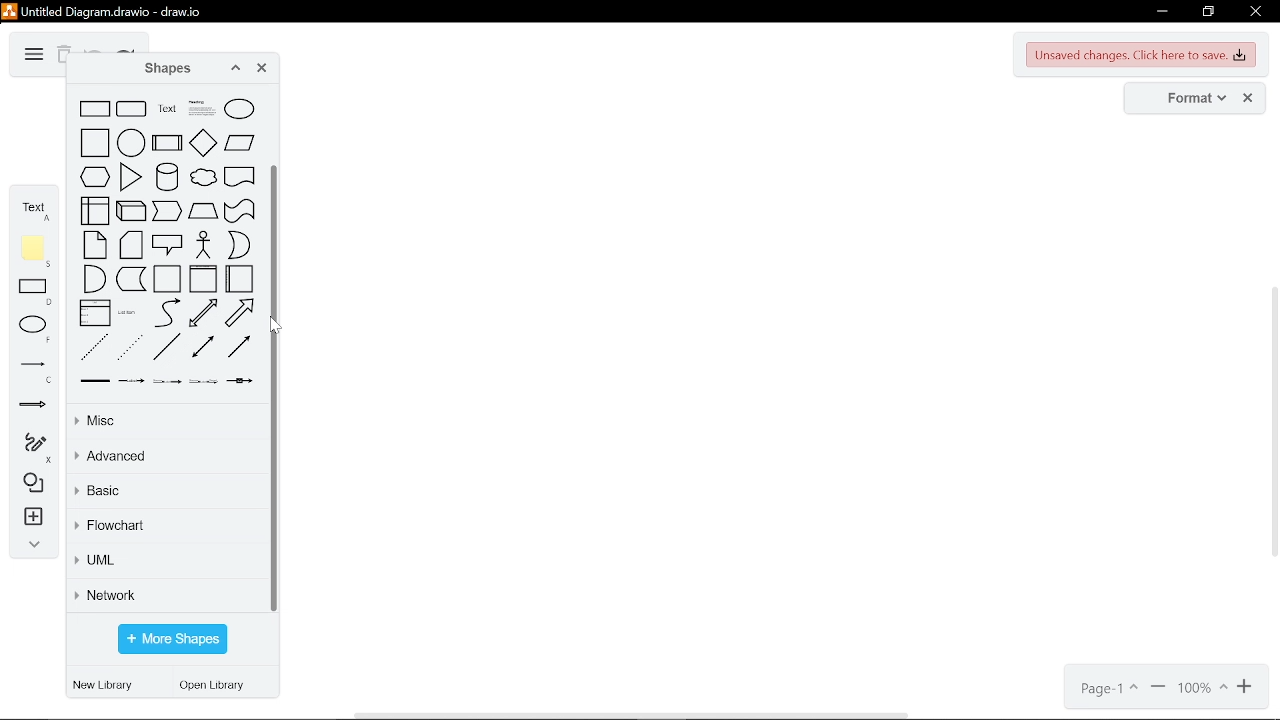 The height and width of the screenshot is (720, 1280). What do you see at coordinates (239, 346) in the screenshot?
I see `directional connector` at bounding box center [239, 346].